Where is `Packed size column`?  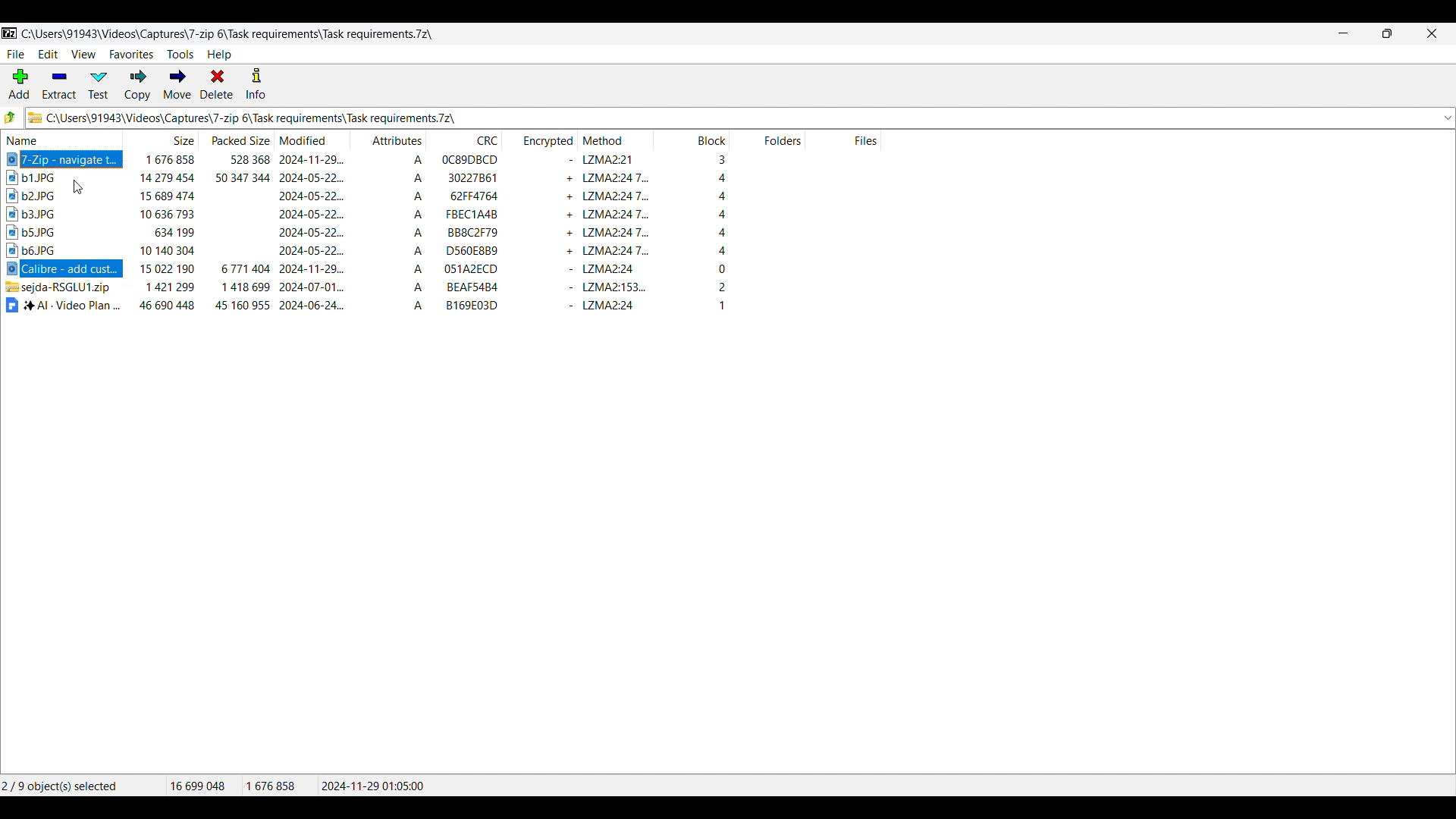
Packed size column is located at coordinates (237, 139).